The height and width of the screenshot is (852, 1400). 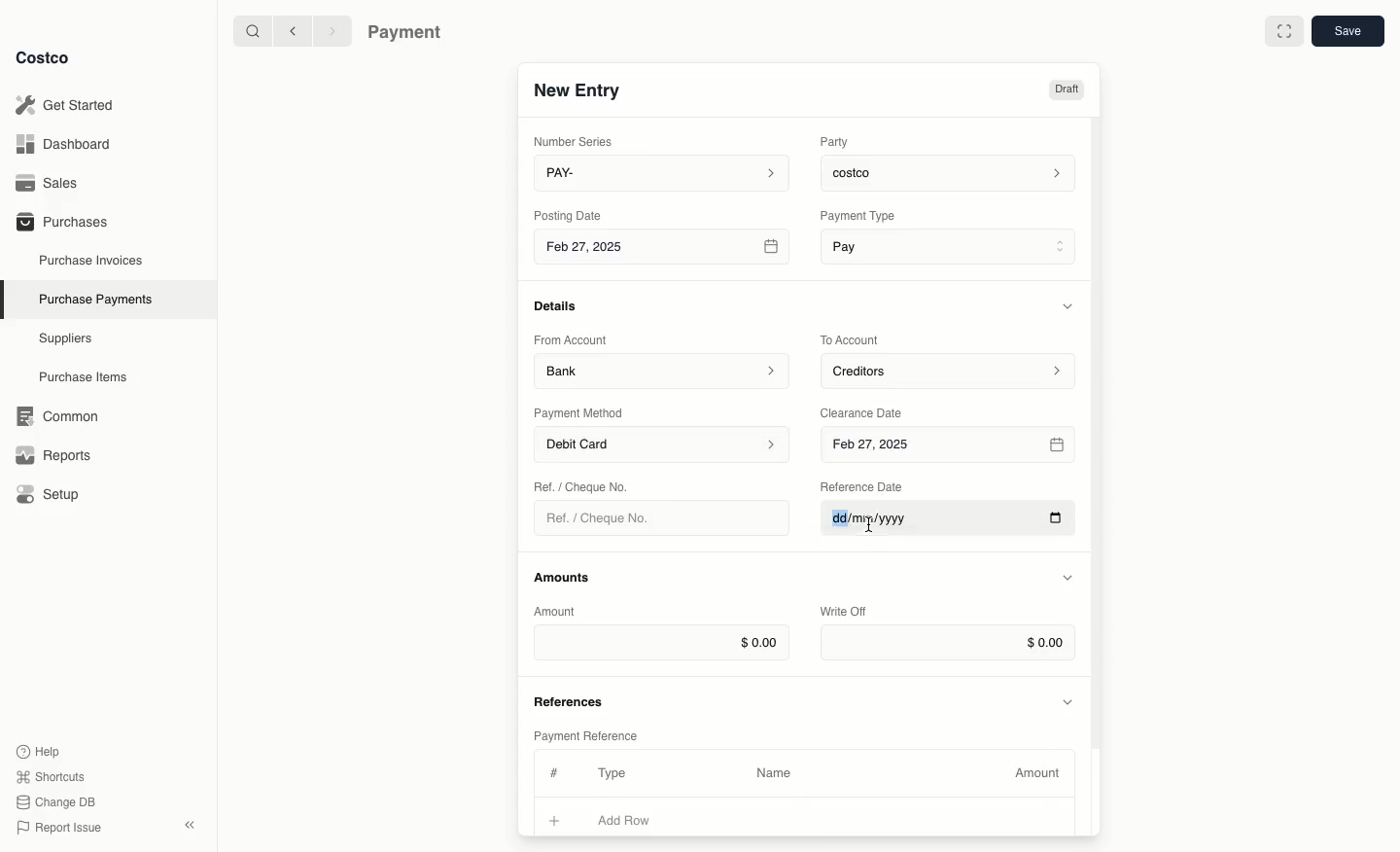 I want to click on Payment Reference, so click(x=584, y=733).